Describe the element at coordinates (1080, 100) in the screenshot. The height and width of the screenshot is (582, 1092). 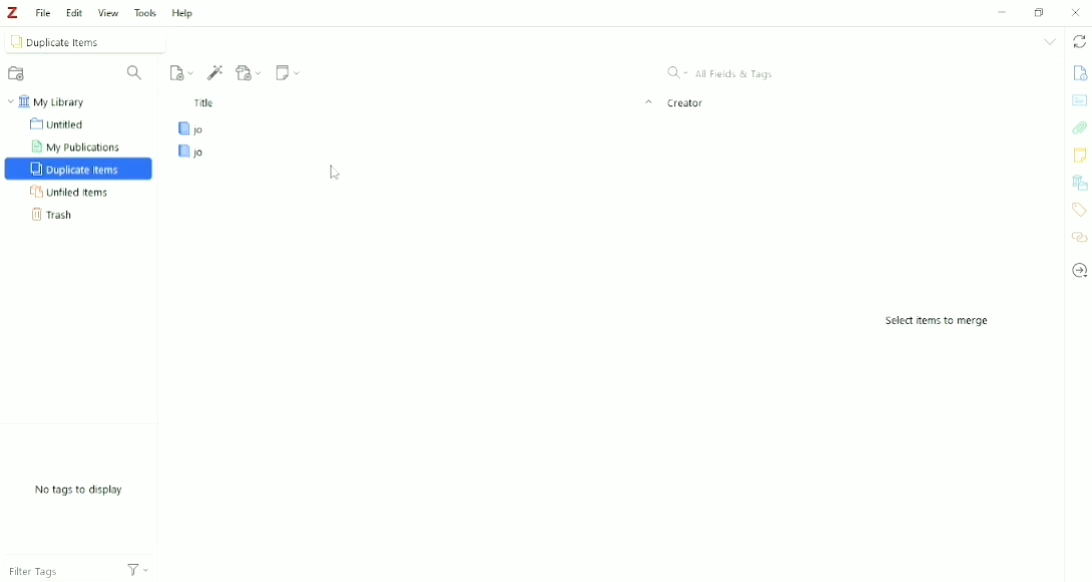
I see `Abstract` at that location.